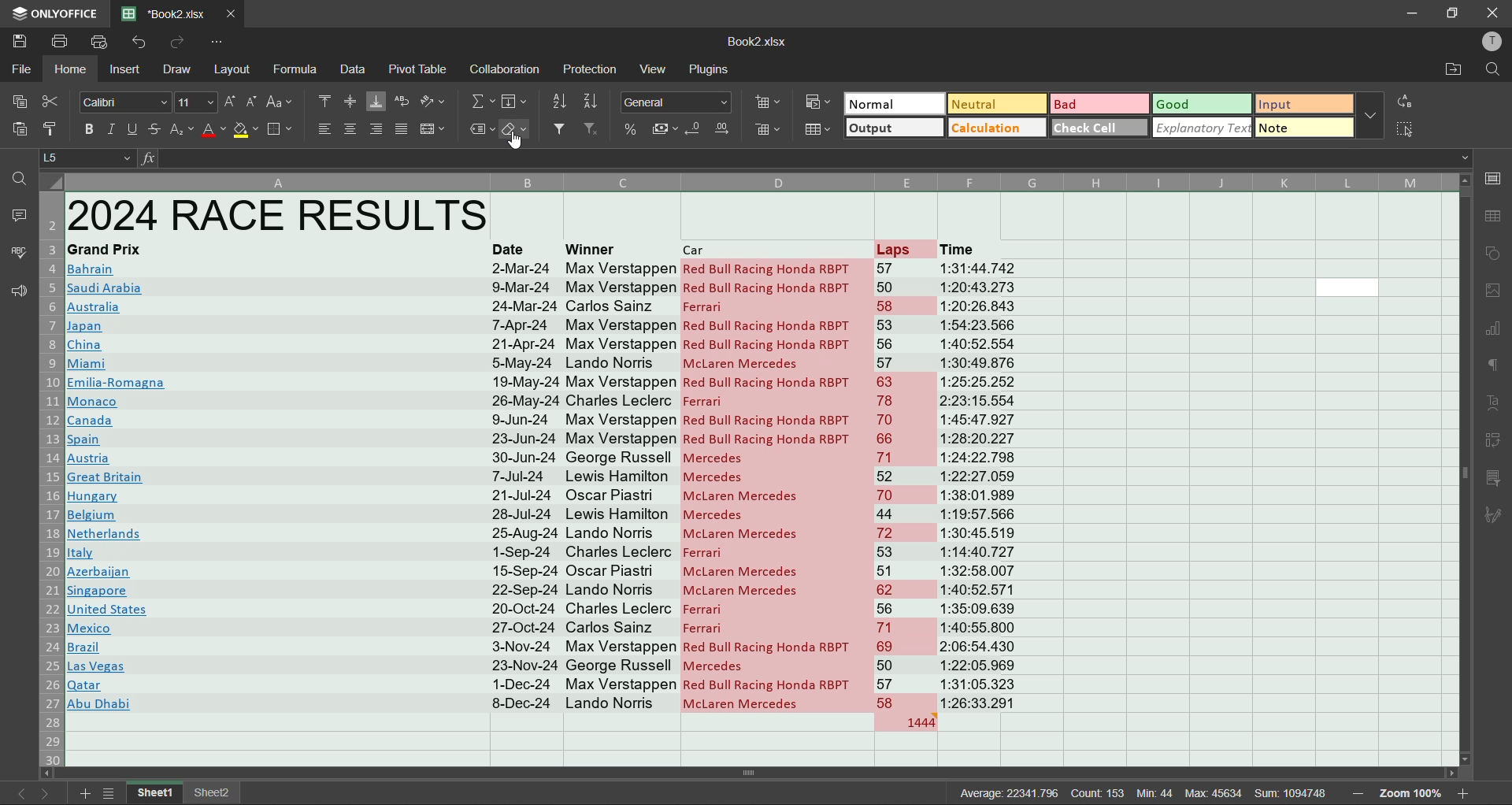 The width and height of the screenshot is (1512, 805). What do you see at coordinates (20, 101) in the screenshot?
I see `copy` at bounding box center [20, 101].